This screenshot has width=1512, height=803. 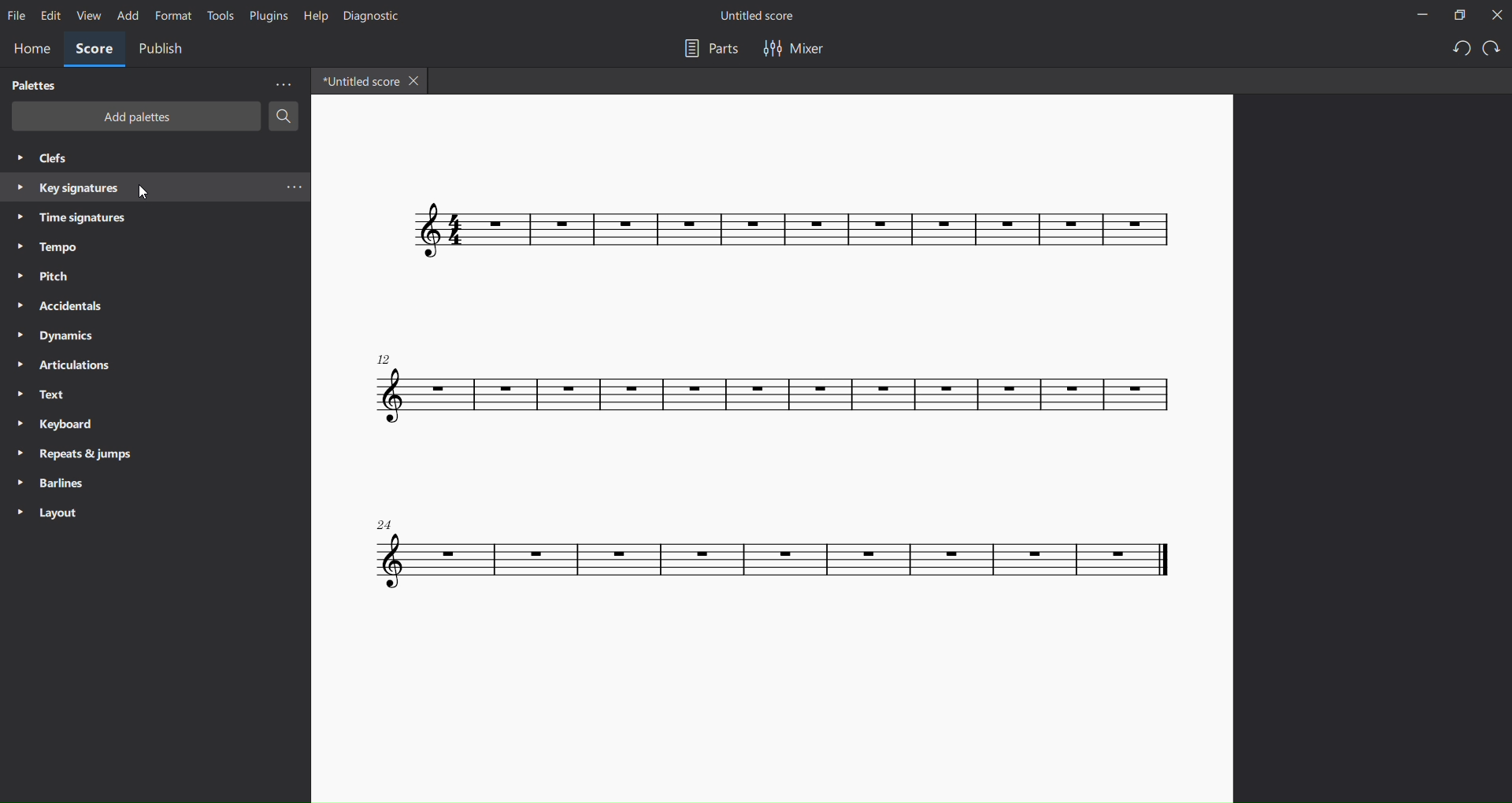 I want to click on pitch, so click(x=48, y=276).